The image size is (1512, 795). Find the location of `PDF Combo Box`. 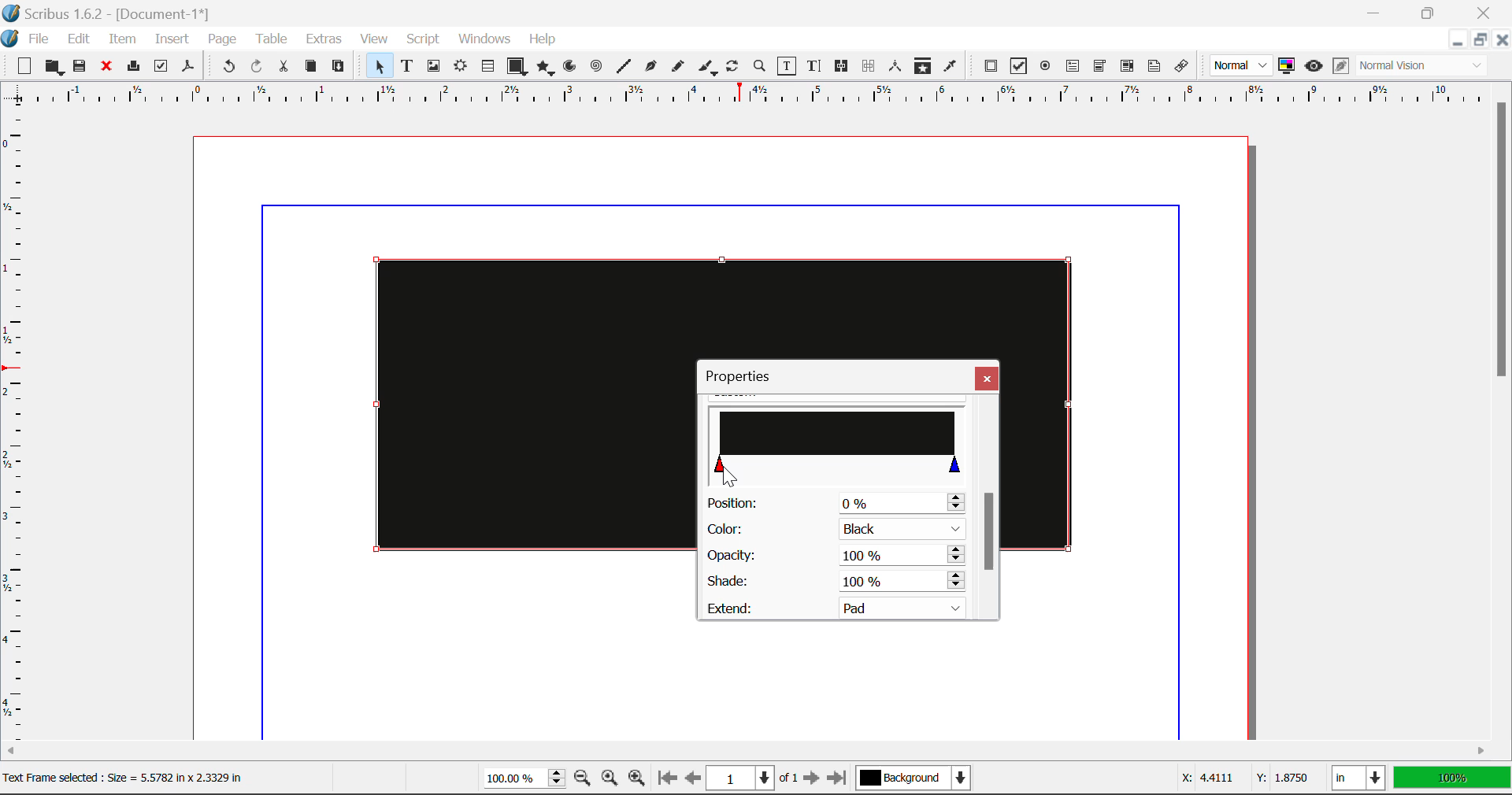

PDF Combo Box is located at coordinates (1099, 68).